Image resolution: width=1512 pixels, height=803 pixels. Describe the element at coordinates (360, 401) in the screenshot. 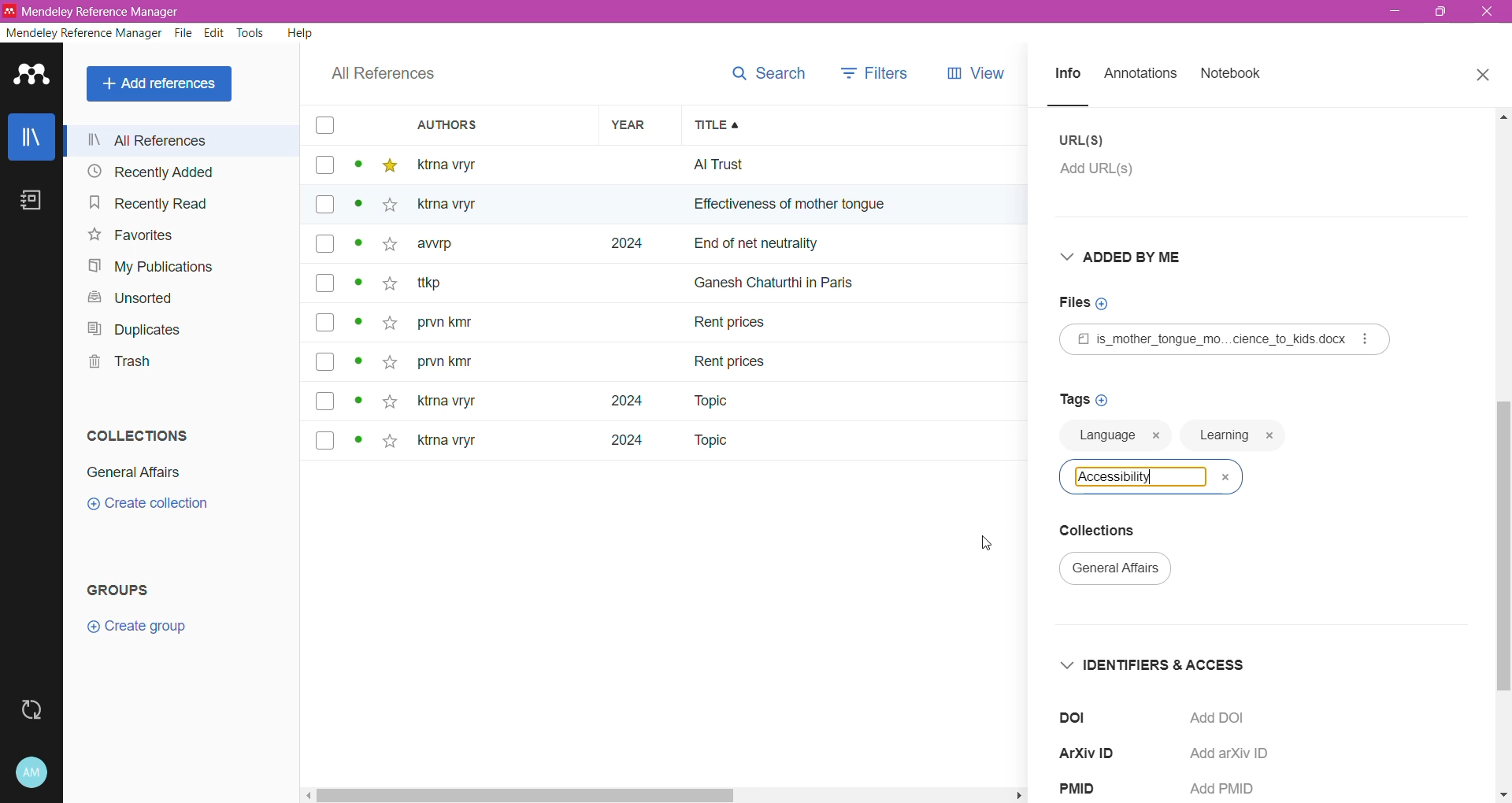

I see `dot ` at that location.